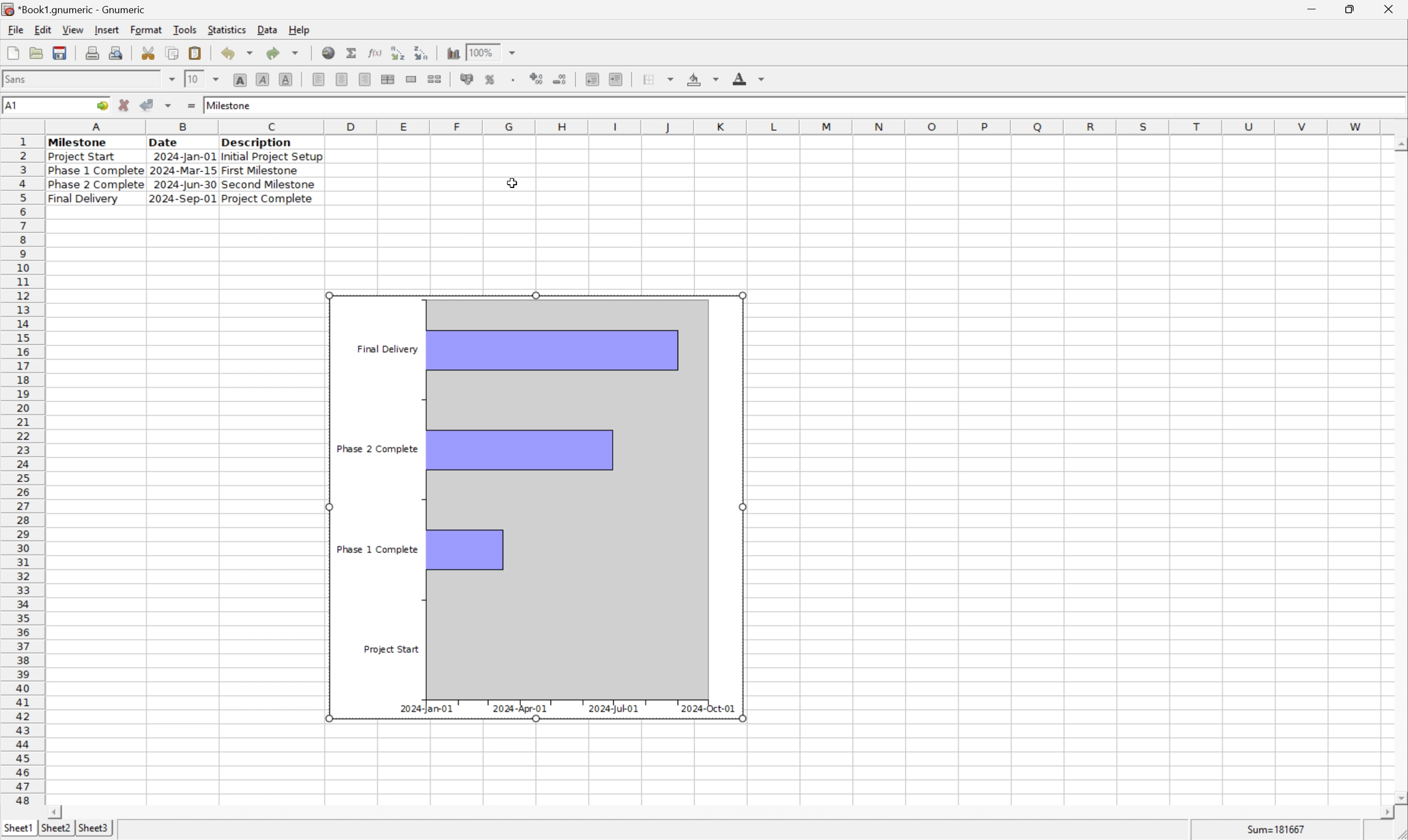  Describe the element at coordinates (183, 170) in the screenshot. I see `Table` at that location.